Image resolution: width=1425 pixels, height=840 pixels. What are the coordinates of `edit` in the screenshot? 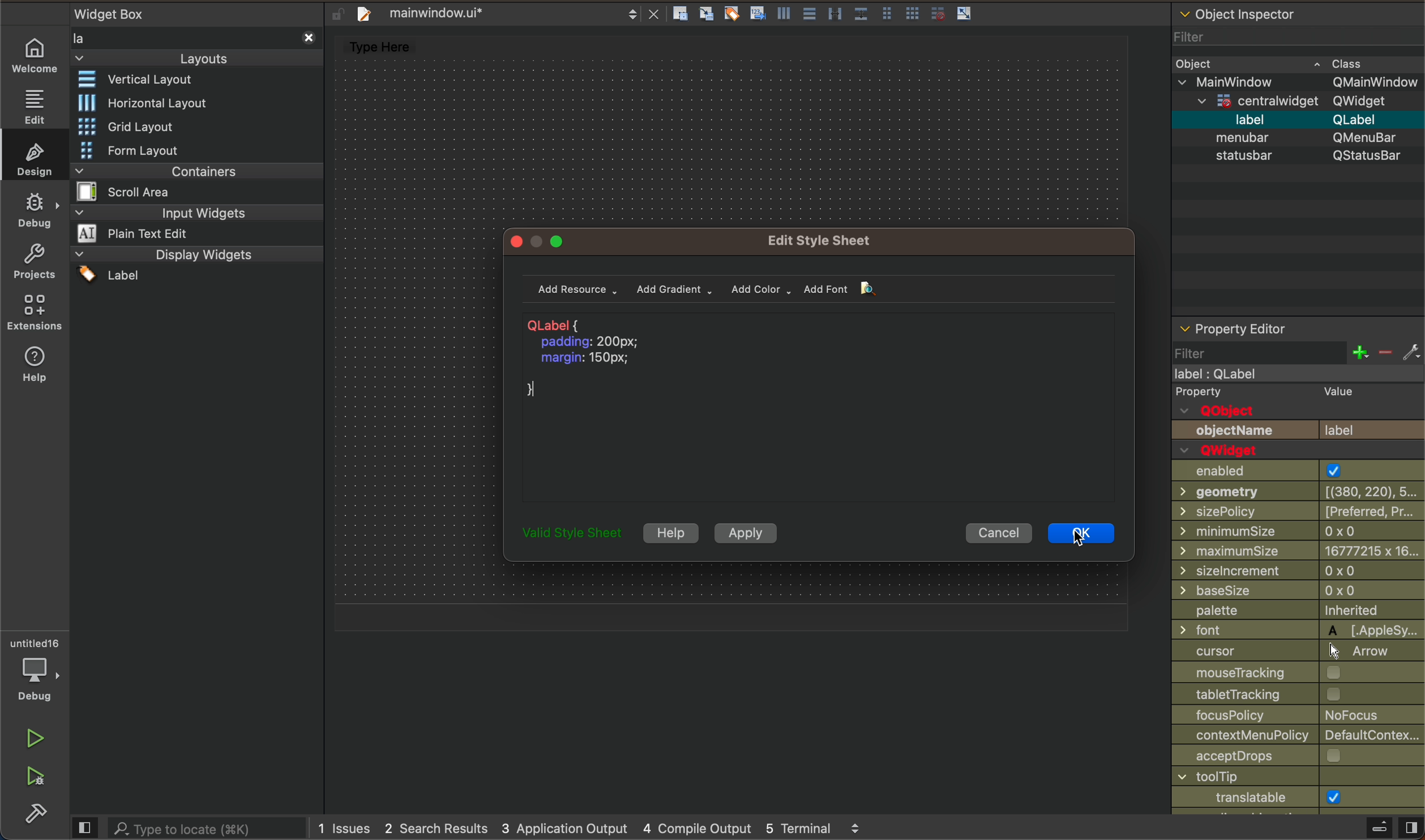 It's located at (34, 105).